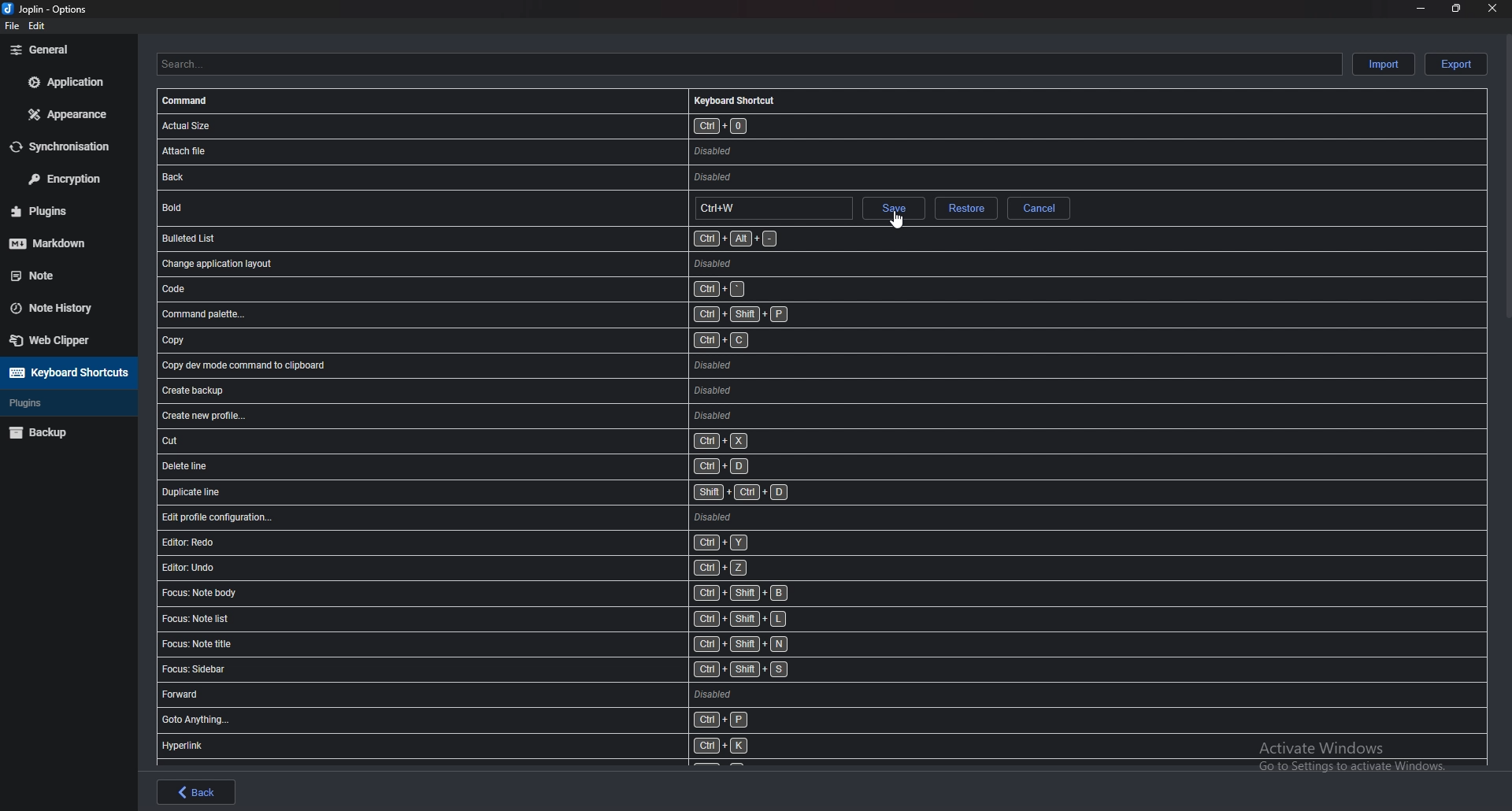 This screenshot has width=1512, height=811. I want to click on shortcut, so click(536, 440).